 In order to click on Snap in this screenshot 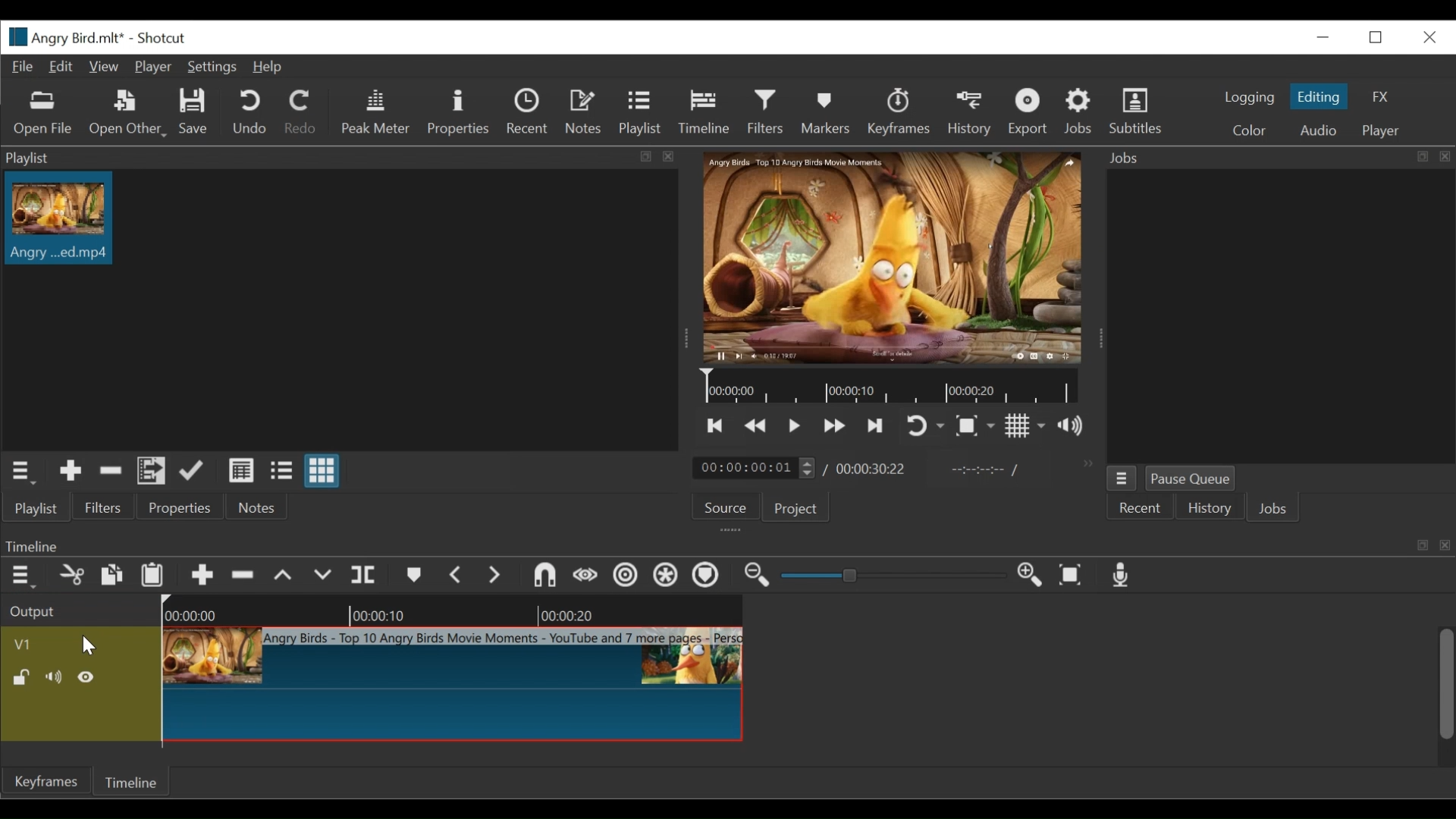, I will do `click(544, 577)`.